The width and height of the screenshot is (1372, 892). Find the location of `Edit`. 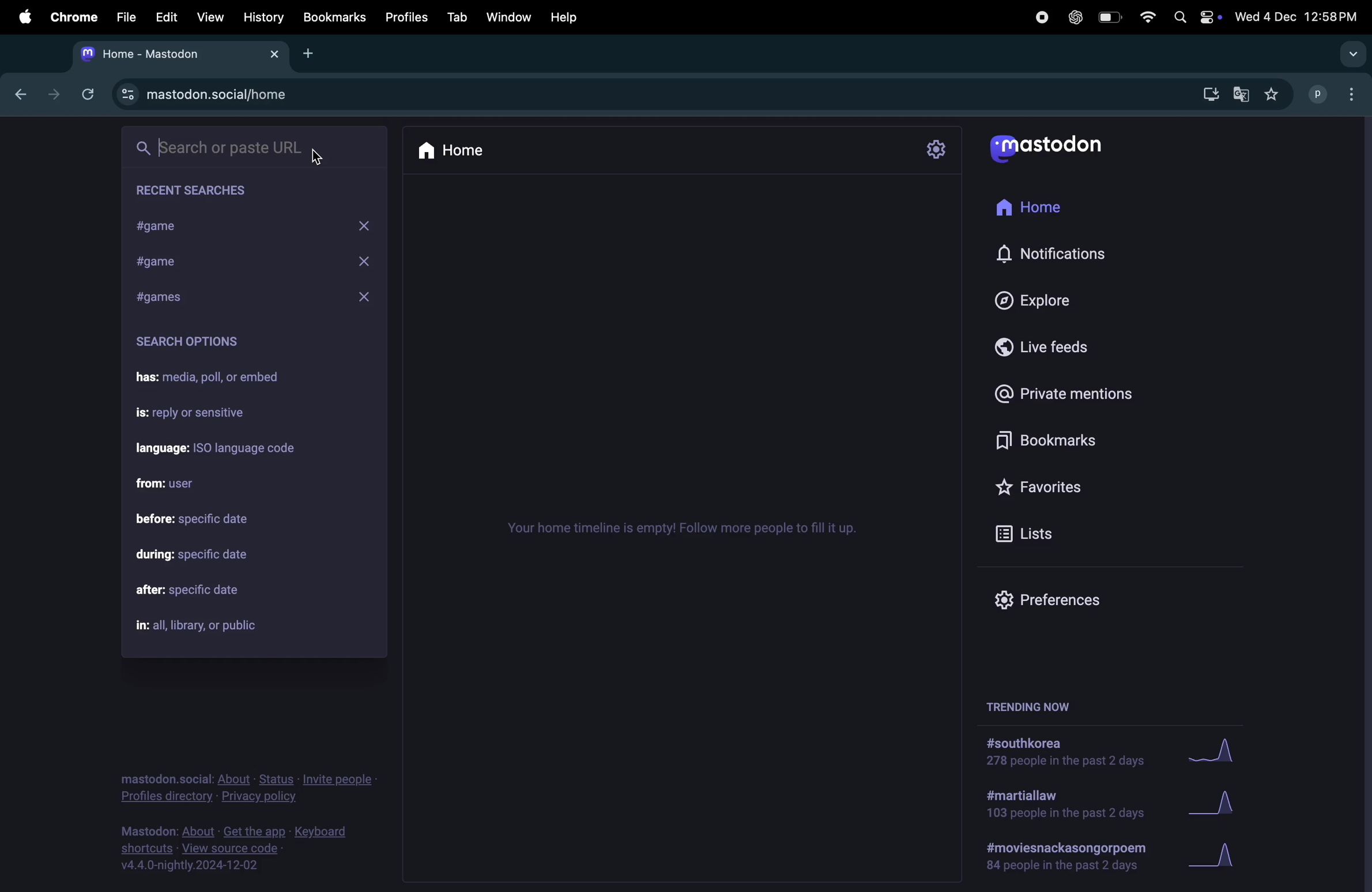

Edit is located at coordinates (168, 14).